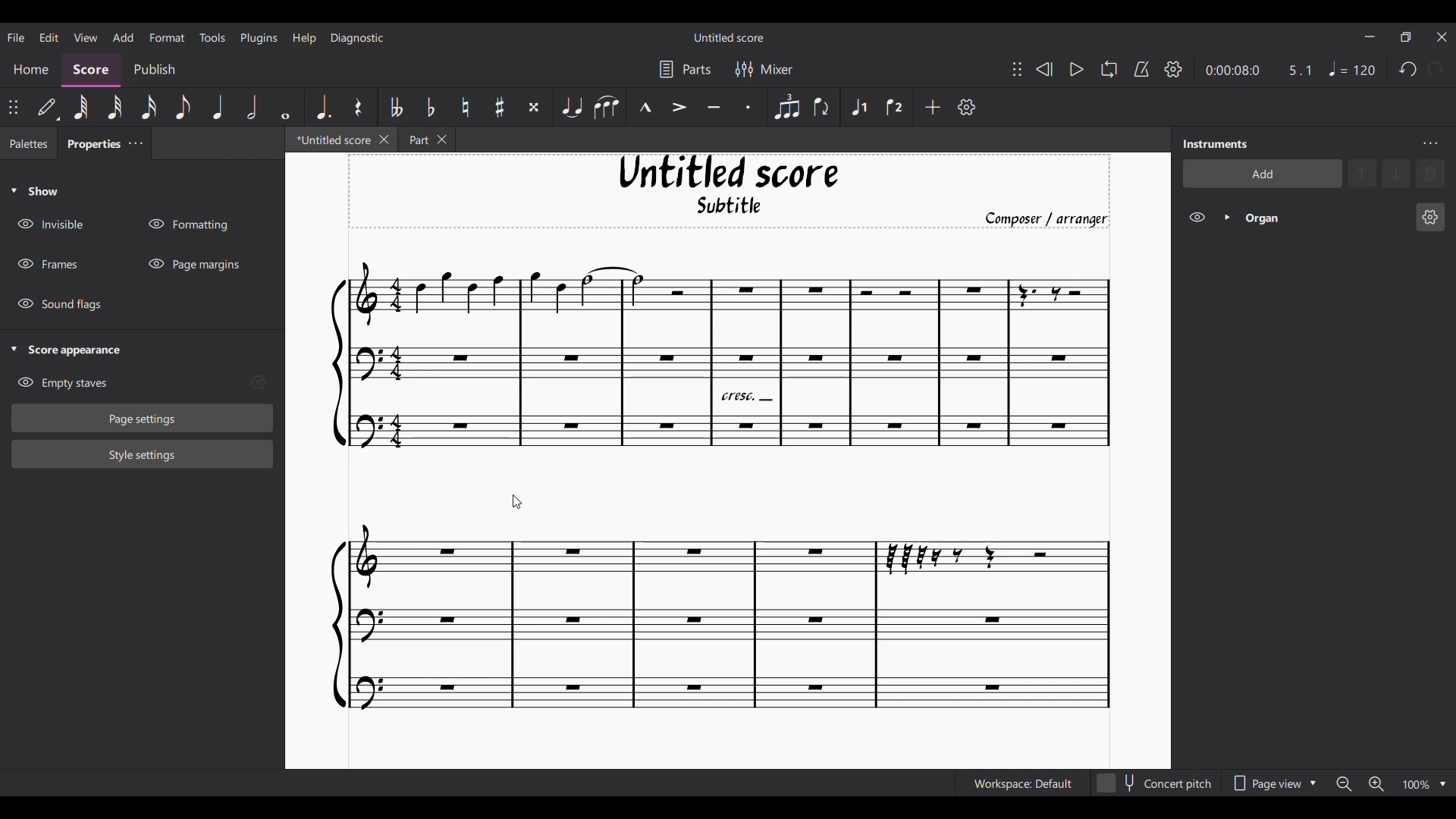 This screenshot has width=1456, height=819. Describe the element at coordinates (259, 37) in the screenshot. I see `Plugins menu` at that location.